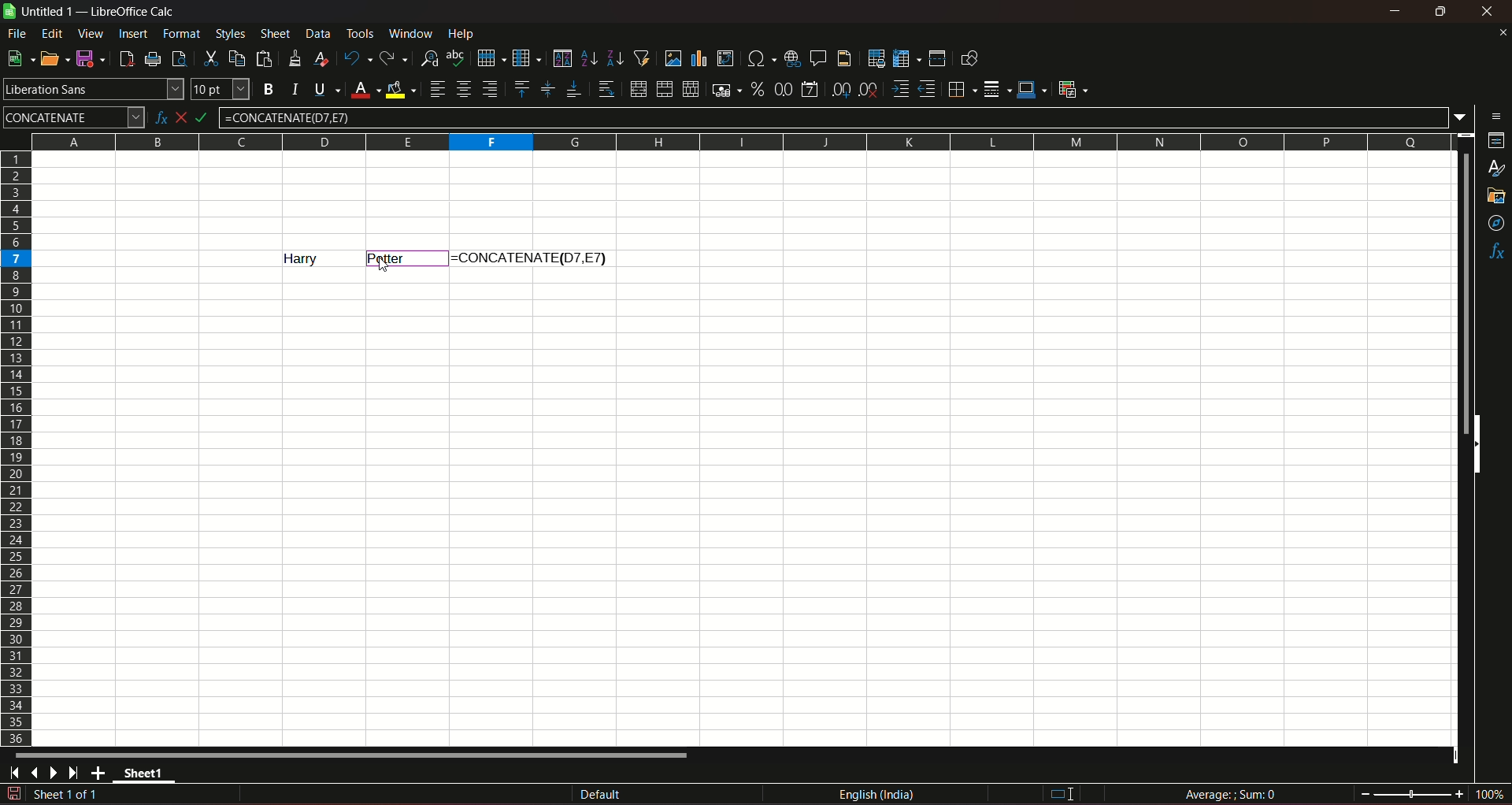 This screenshot has width=1512, height=805. Describe the element at coordinates (1440, 12) in the screenshot. I see `minimize & maximize` at that location.